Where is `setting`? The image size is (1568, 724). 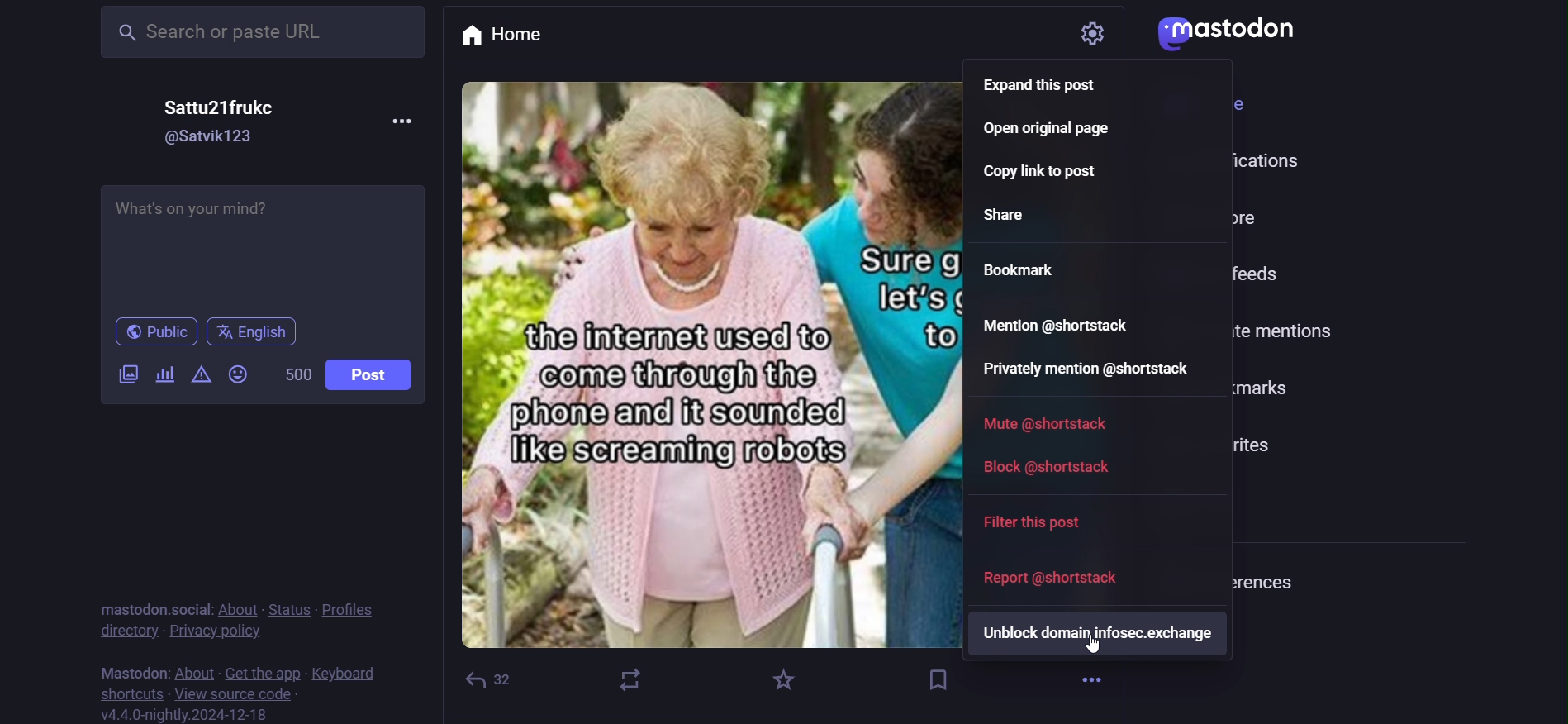
setting is located at coordinates (1064, 31).